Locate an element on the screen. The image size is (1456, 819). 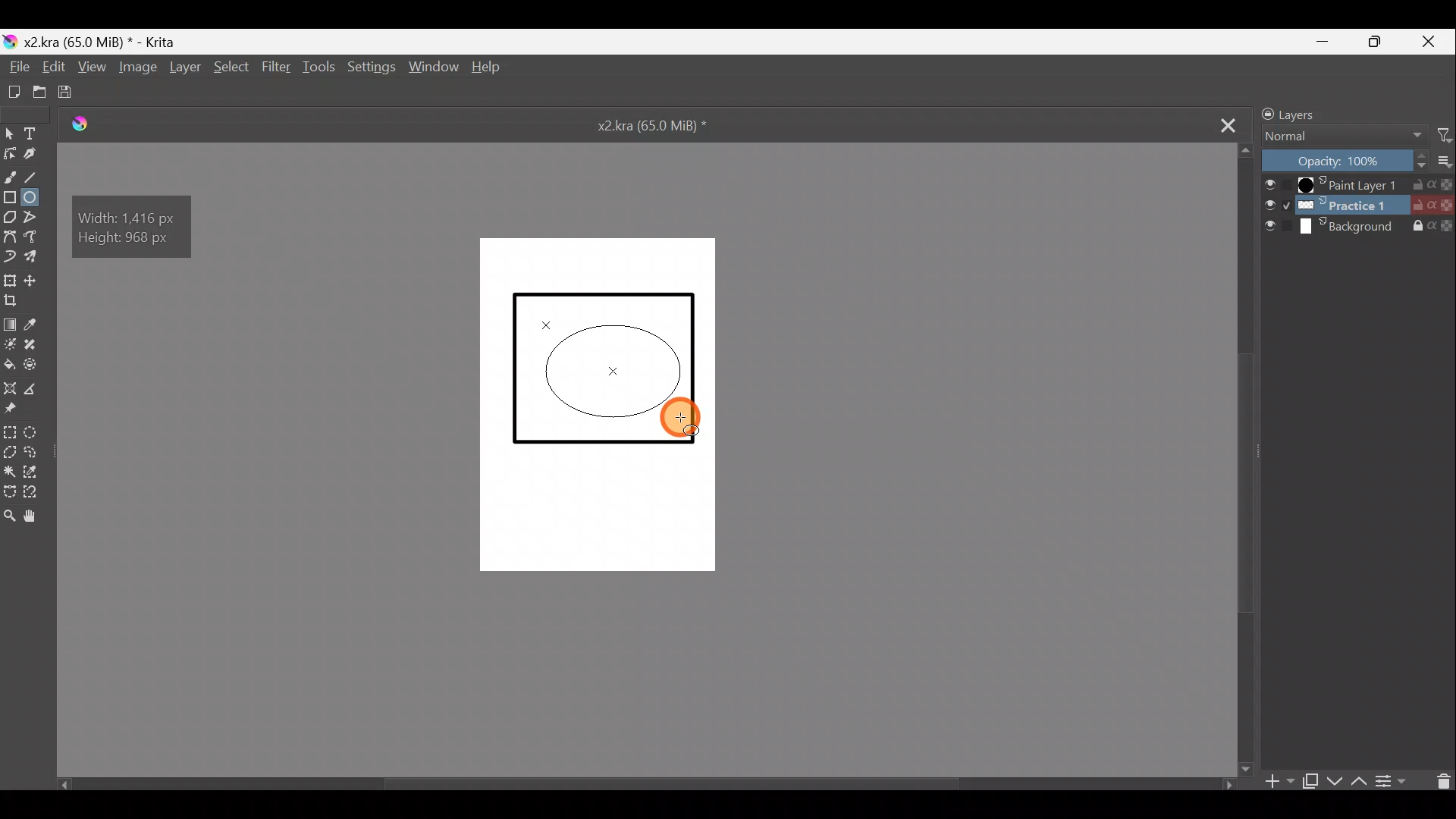
Rectangular selection tool is located at coordinates (10, 431).